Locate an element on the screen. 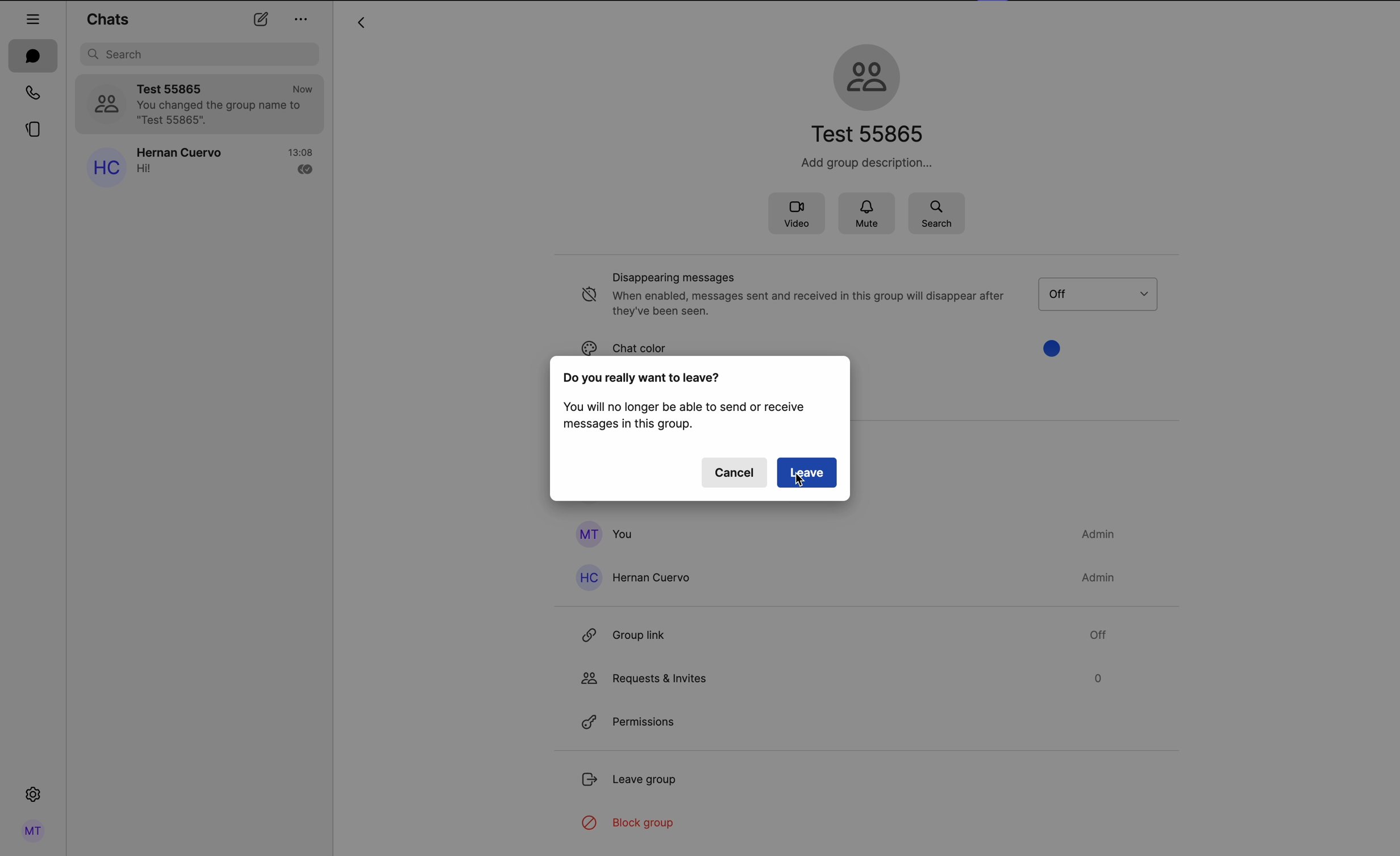 This screenshot has height=856, width=1400. you admin is located at coordinates (843, 534).